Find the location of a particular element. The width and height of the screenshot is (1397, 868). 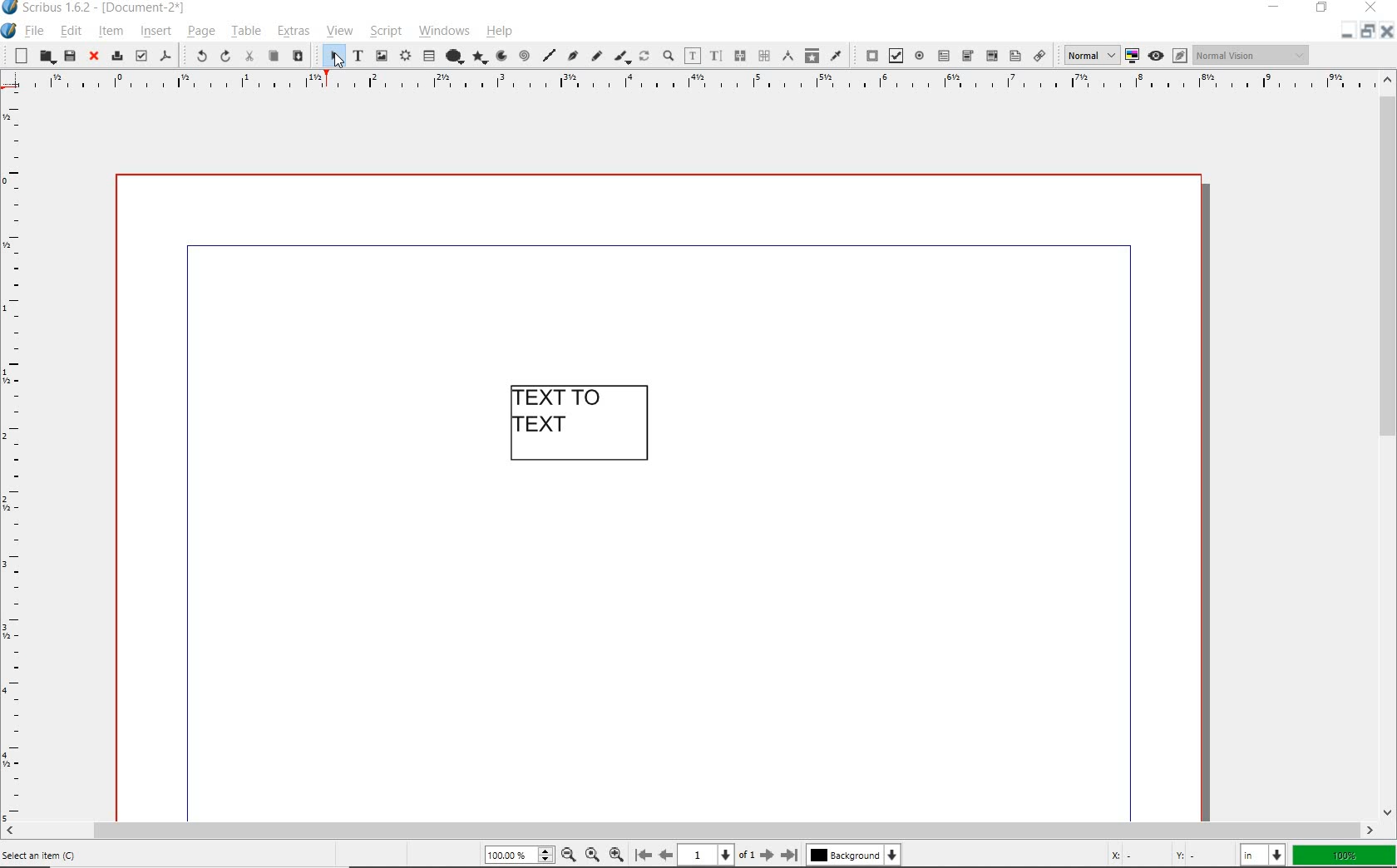

link annotation is located at coordinates (1038, 55).